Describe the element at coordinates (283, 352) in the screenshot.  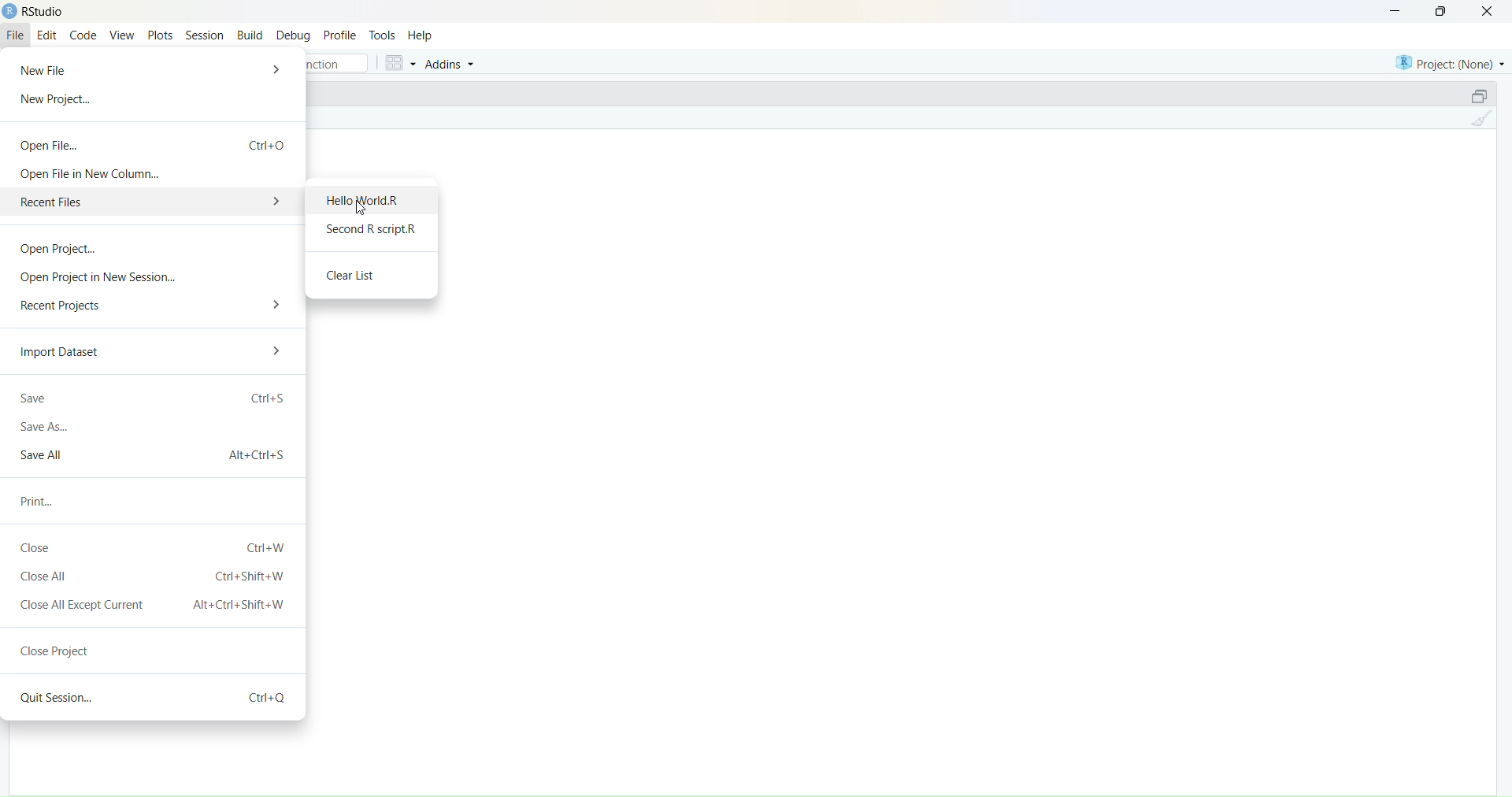
I see `More` at that location.